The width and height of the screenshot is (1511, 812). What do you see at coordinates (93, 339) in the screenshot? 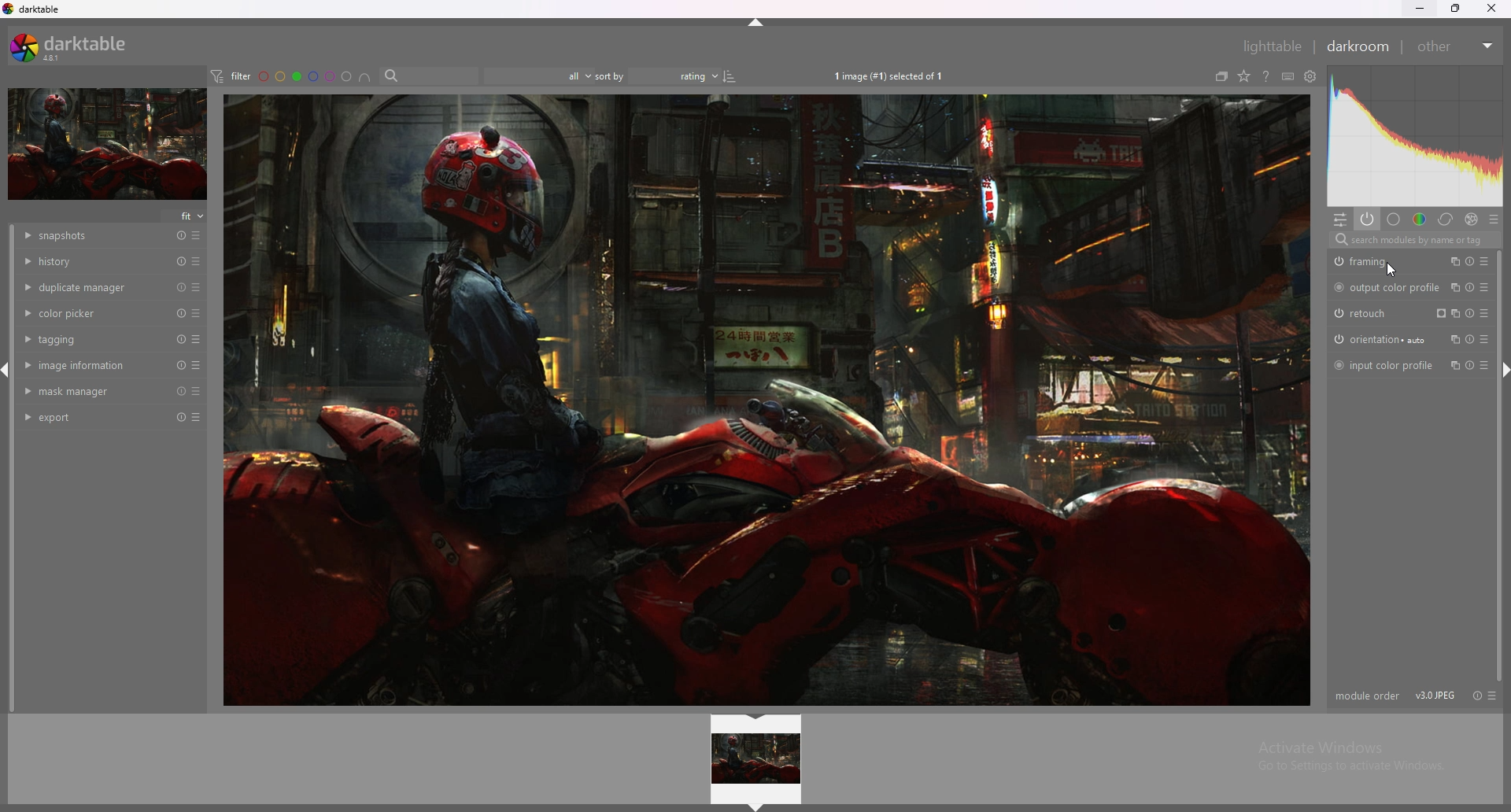
I see `tagging` at bounding box center [93, 339].